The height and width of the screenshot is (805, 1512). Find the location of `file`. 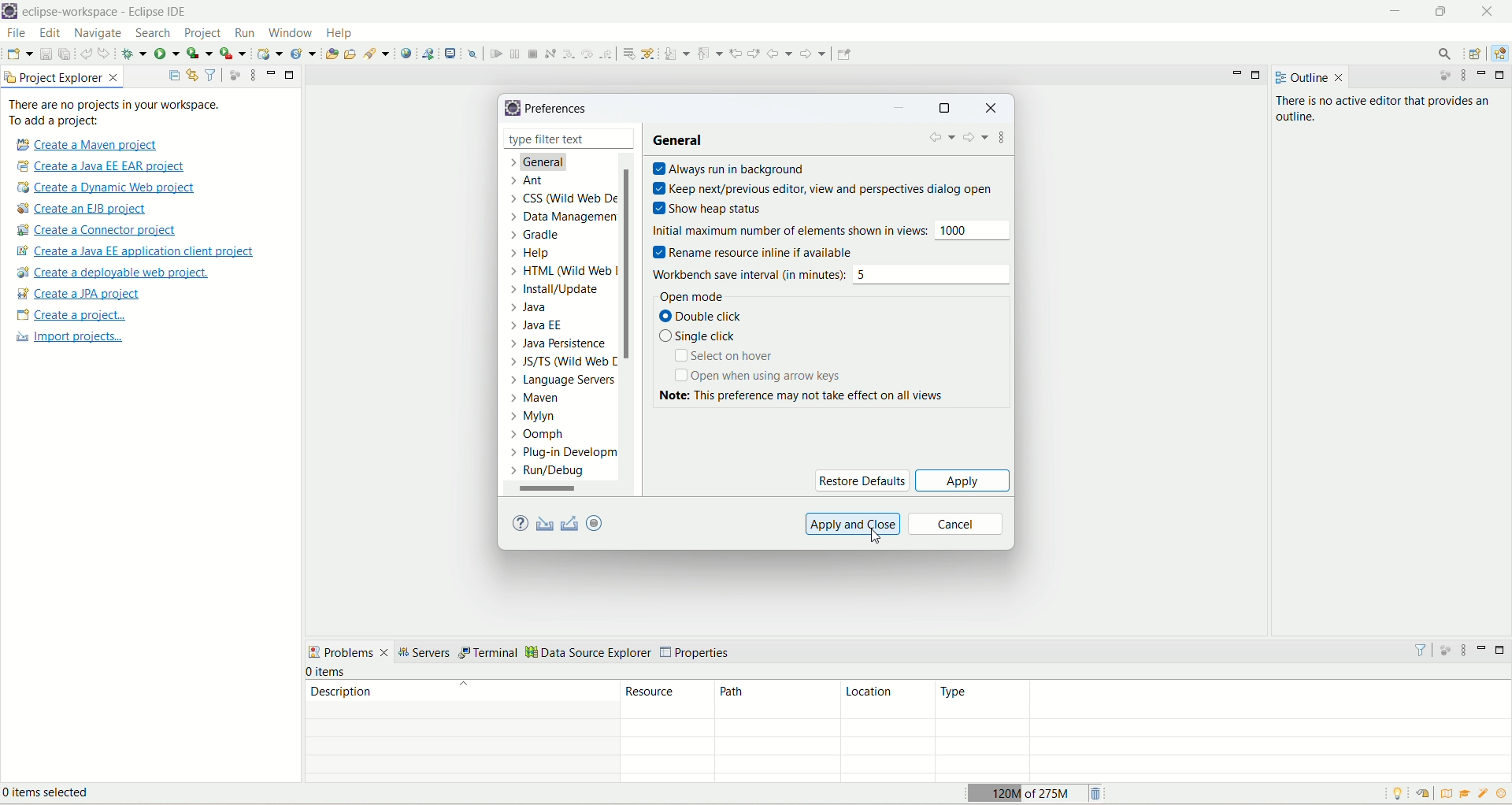

file is located at coordinates (16, 32).